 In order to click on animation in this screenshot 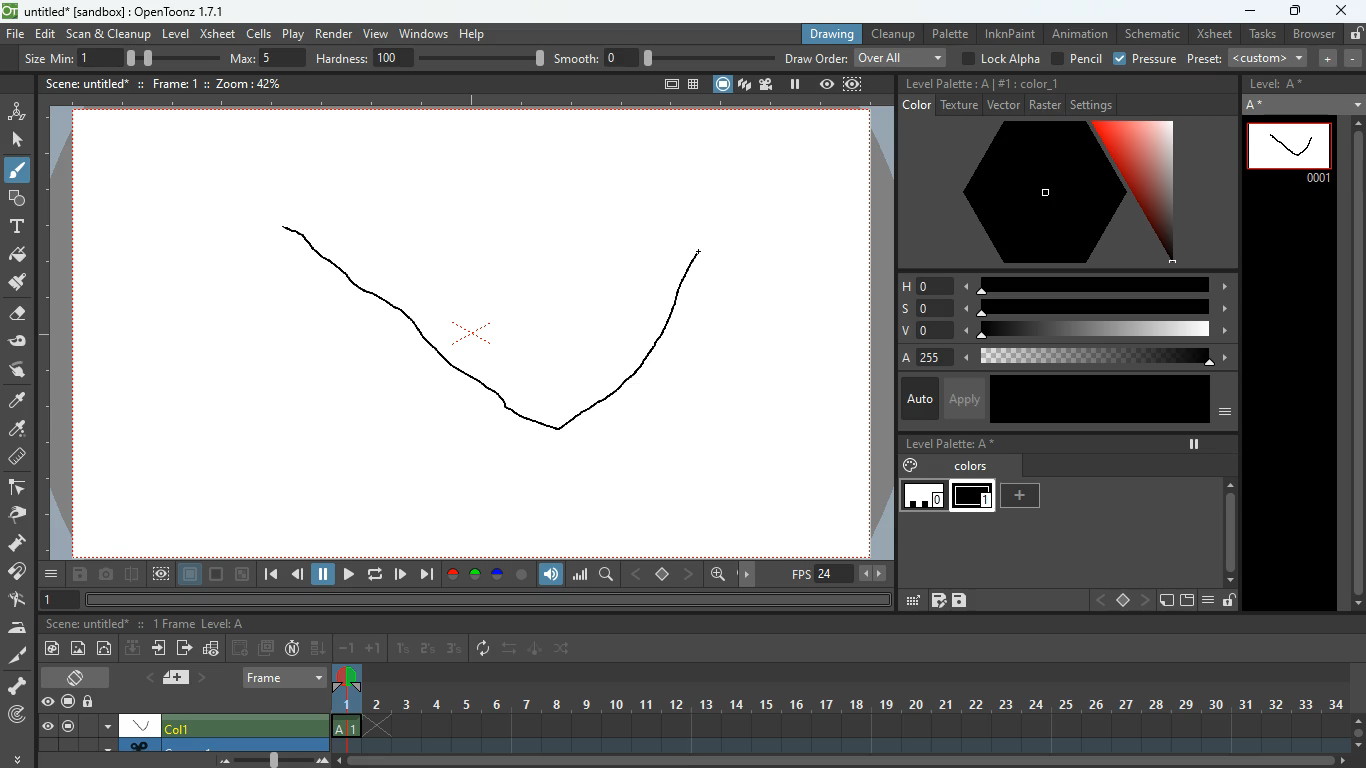, I will do `click(1082, 34)`.